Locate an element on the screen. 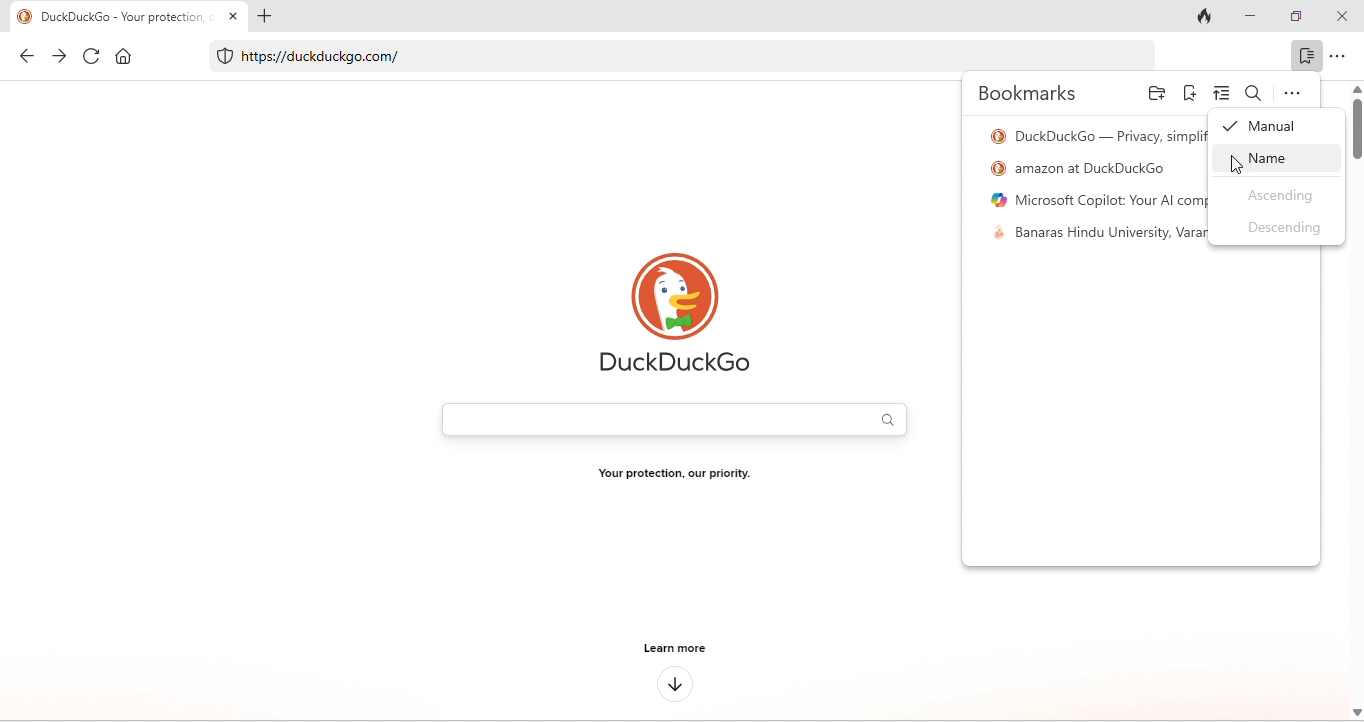 The width and height of the screenshot is (1364, 722). banaras hindu university, india is located at coordinates (1097, 235).